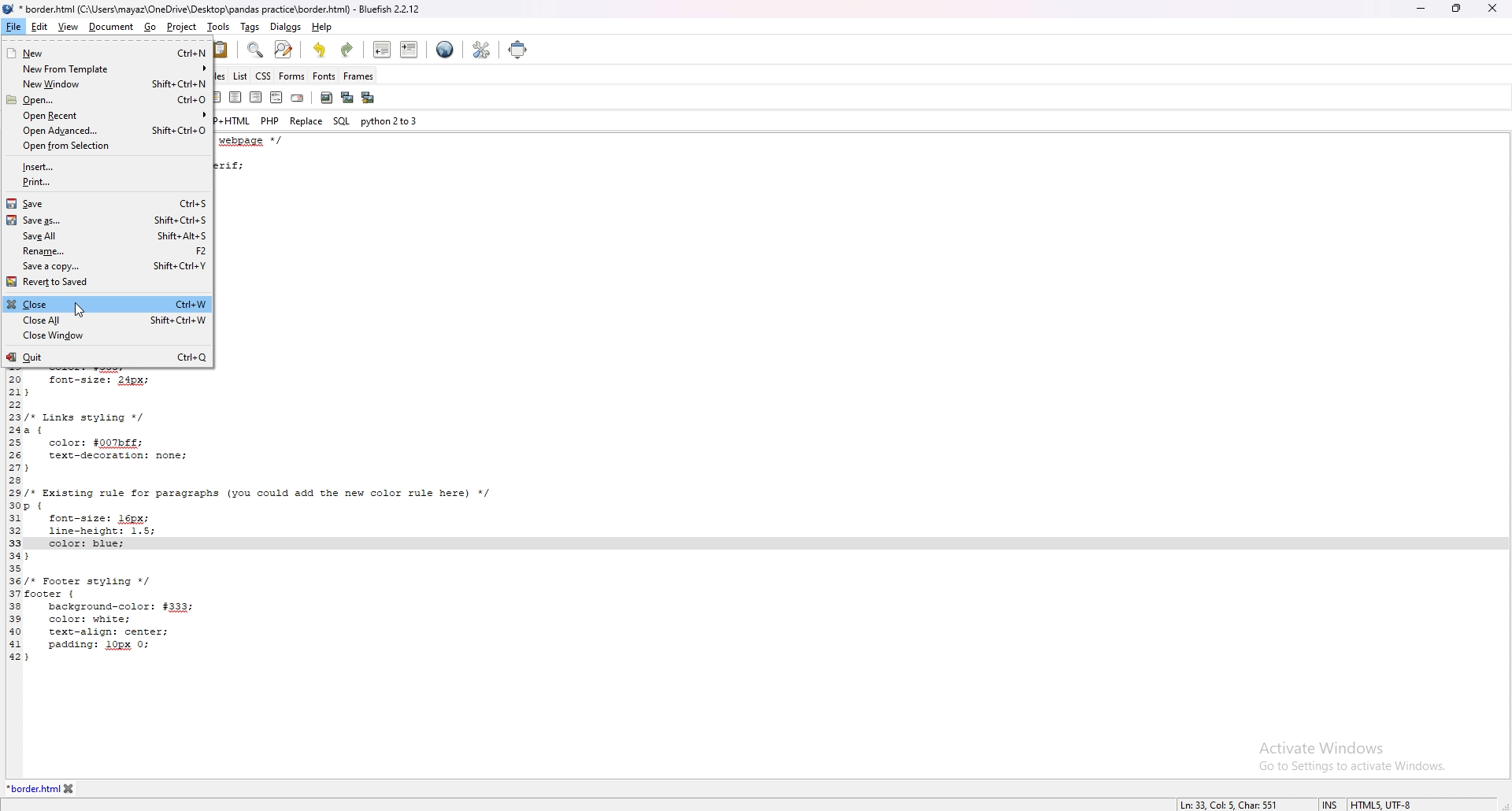 The image size is (1512, 811). What do you see at coordinates (13, 530) in the screenshot?
I see `line number` at bounding box center [13, 530].